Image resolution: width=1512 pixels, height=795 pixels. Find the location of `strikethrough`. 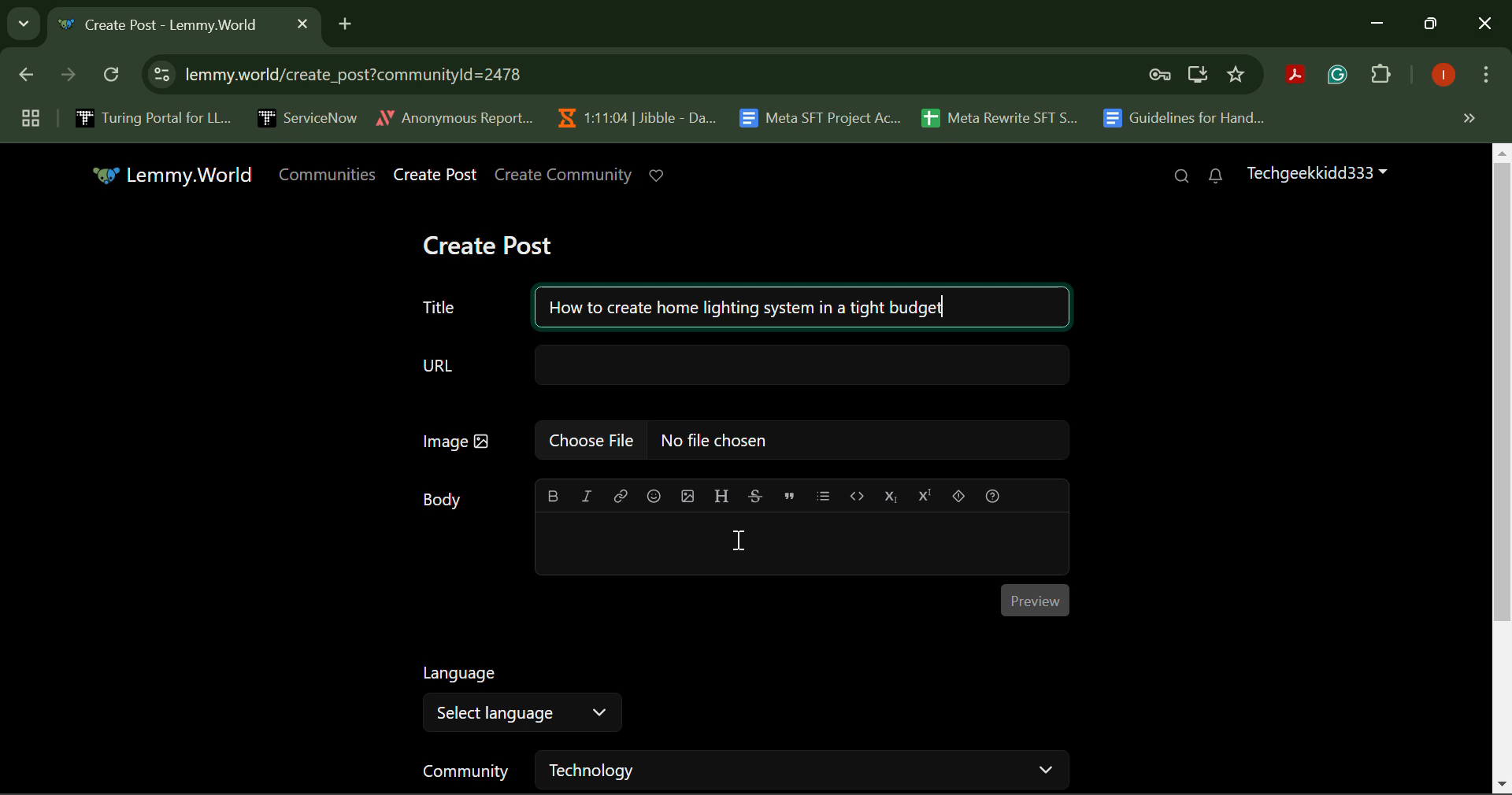

strikethrough is located at coordinates (757, 495).